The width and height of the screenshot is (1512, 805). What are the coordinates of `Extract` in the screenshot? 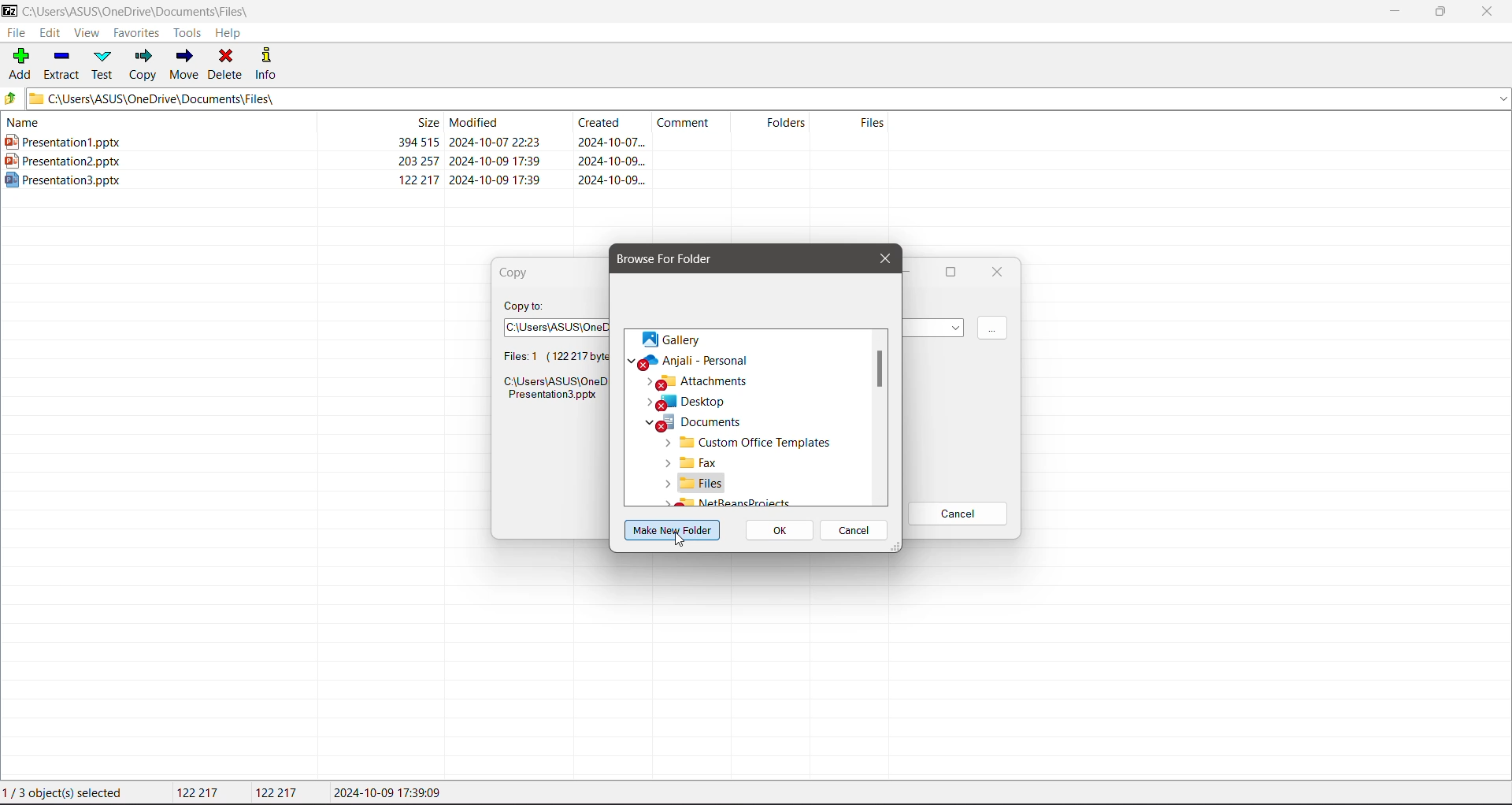 It's located at (62, 65).